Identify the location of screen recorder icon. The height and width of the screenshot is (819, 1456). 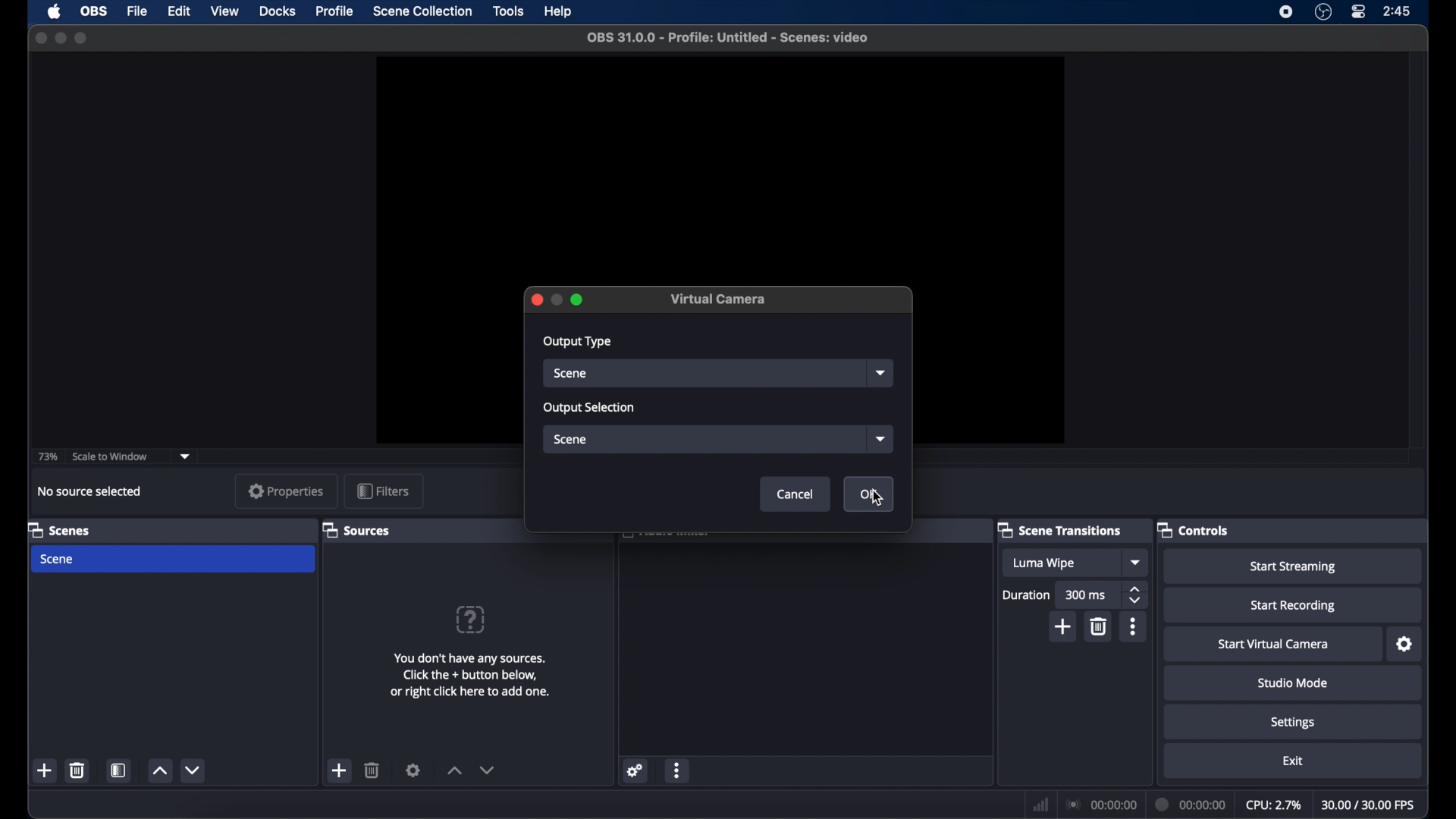
(1287, 12).